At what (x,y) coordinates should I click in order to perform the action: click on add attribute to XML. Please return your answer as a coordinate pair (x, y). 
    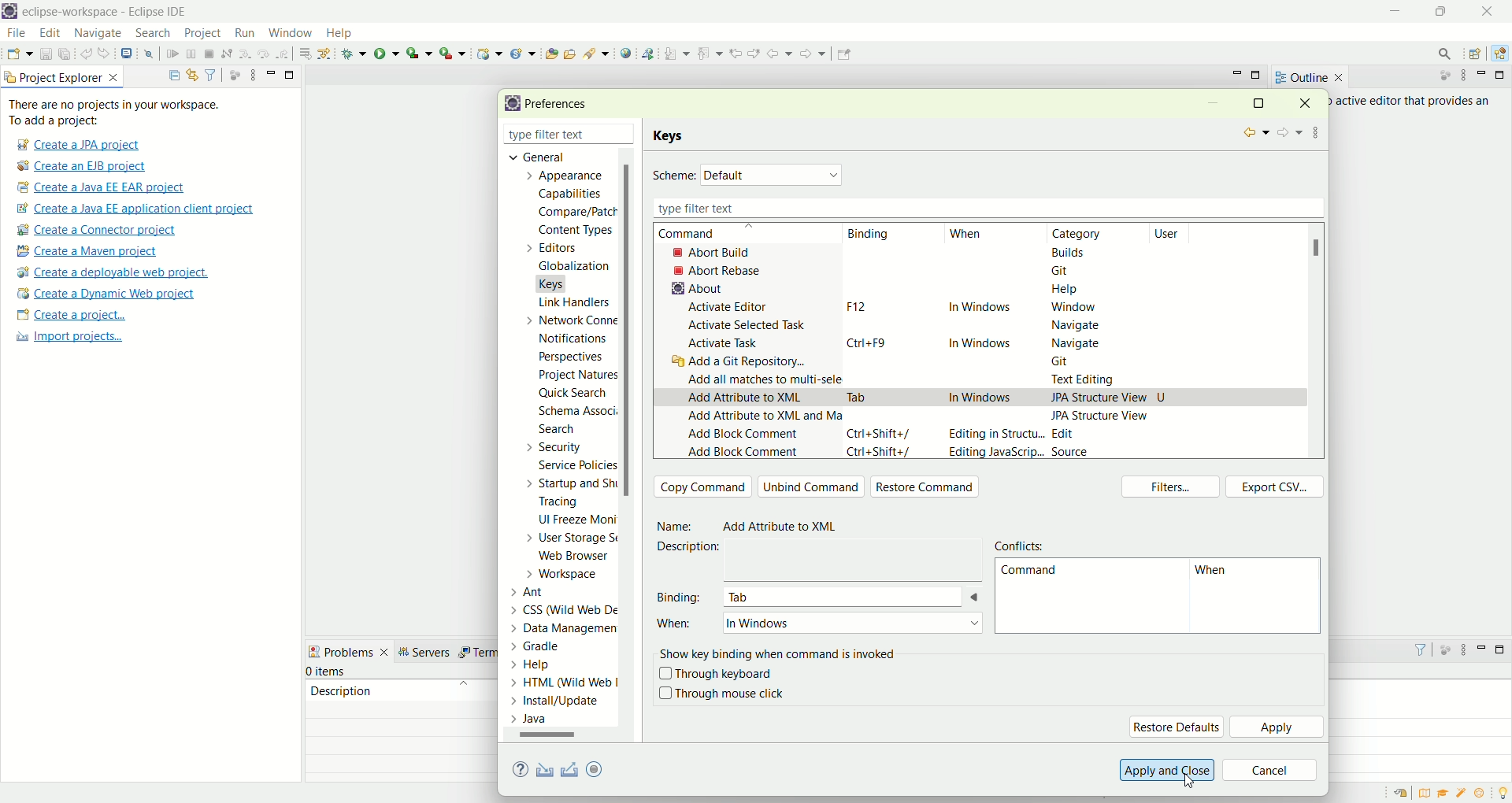
    Looking at the image, I should click on (745, 398).